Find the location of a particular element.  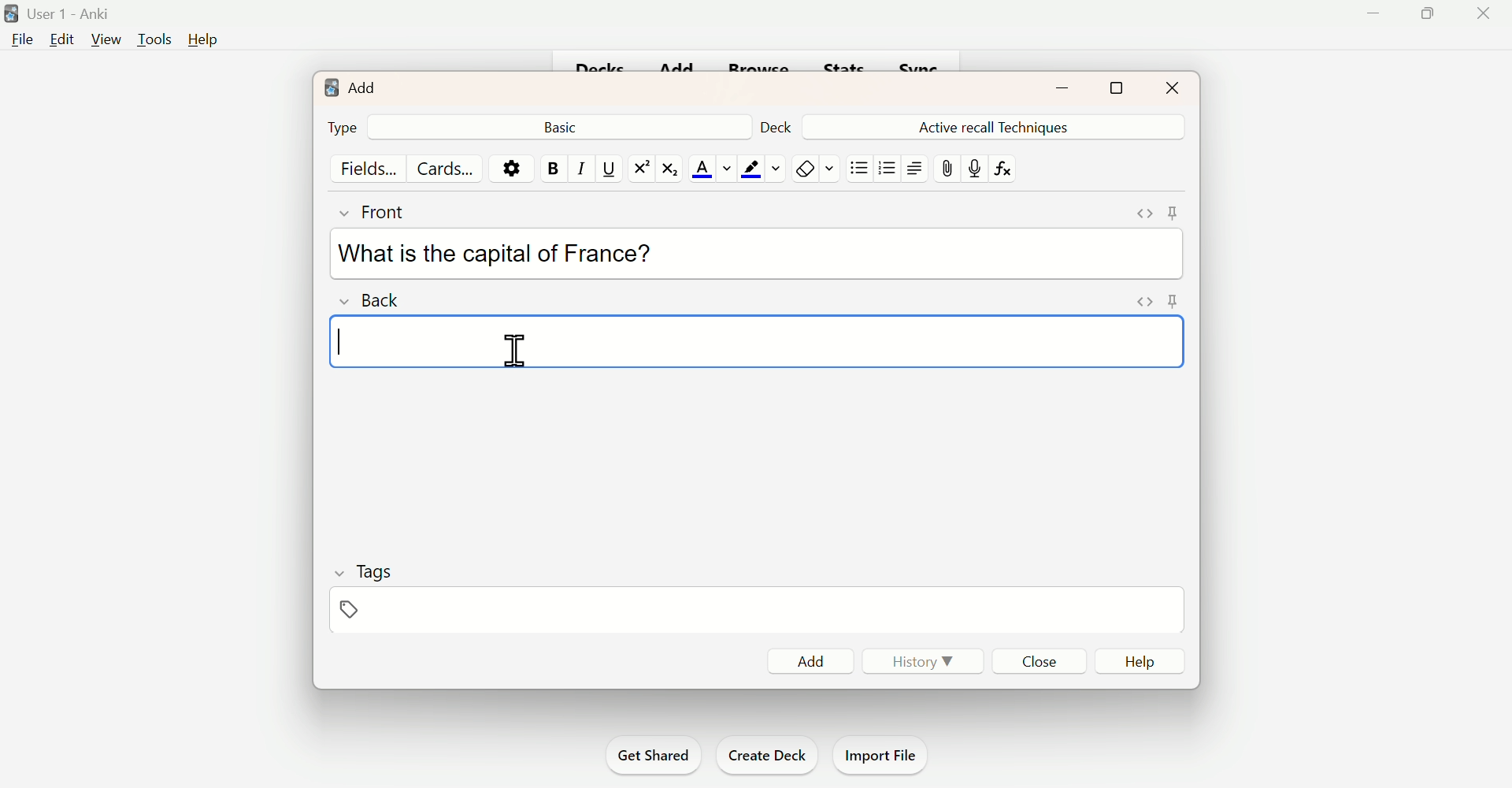

Maximise is located at coordinates (1426, 13).